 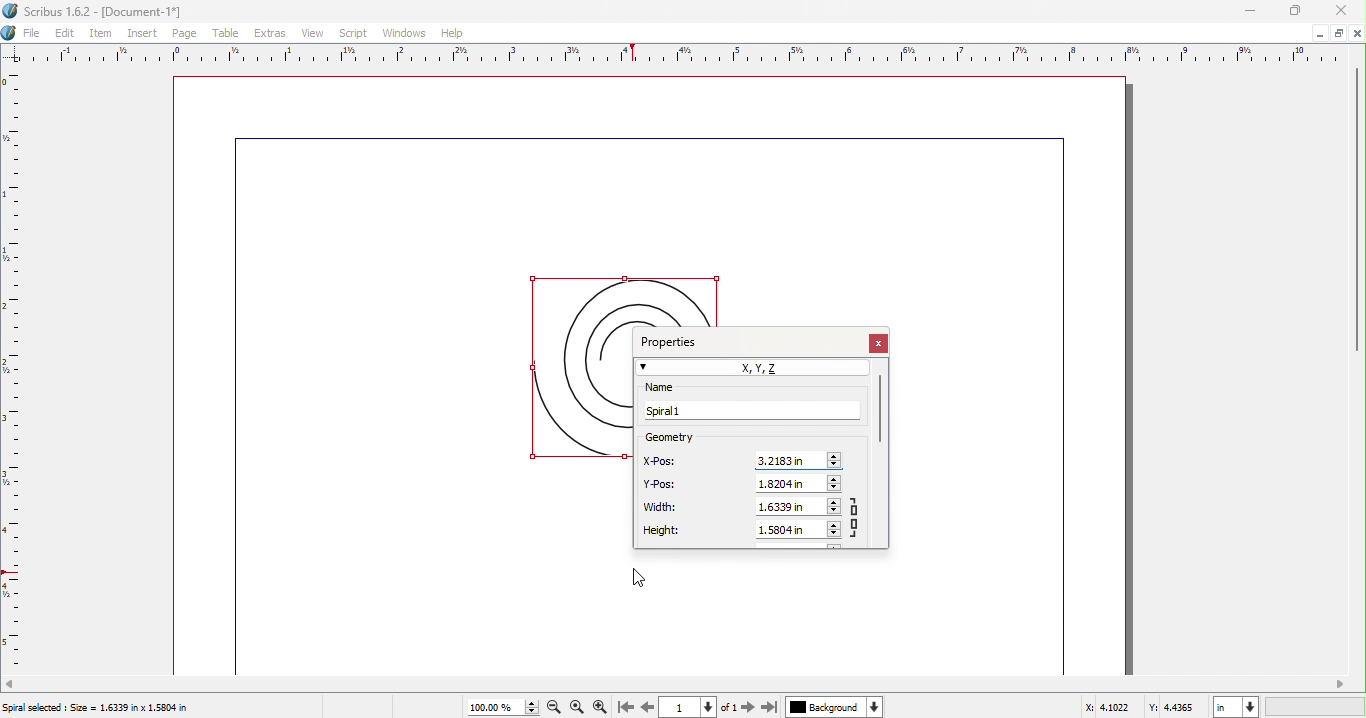 What do you see at coordinates (452, 32) in the screenshot?
I see `Help` at bounding box center [452, 32].